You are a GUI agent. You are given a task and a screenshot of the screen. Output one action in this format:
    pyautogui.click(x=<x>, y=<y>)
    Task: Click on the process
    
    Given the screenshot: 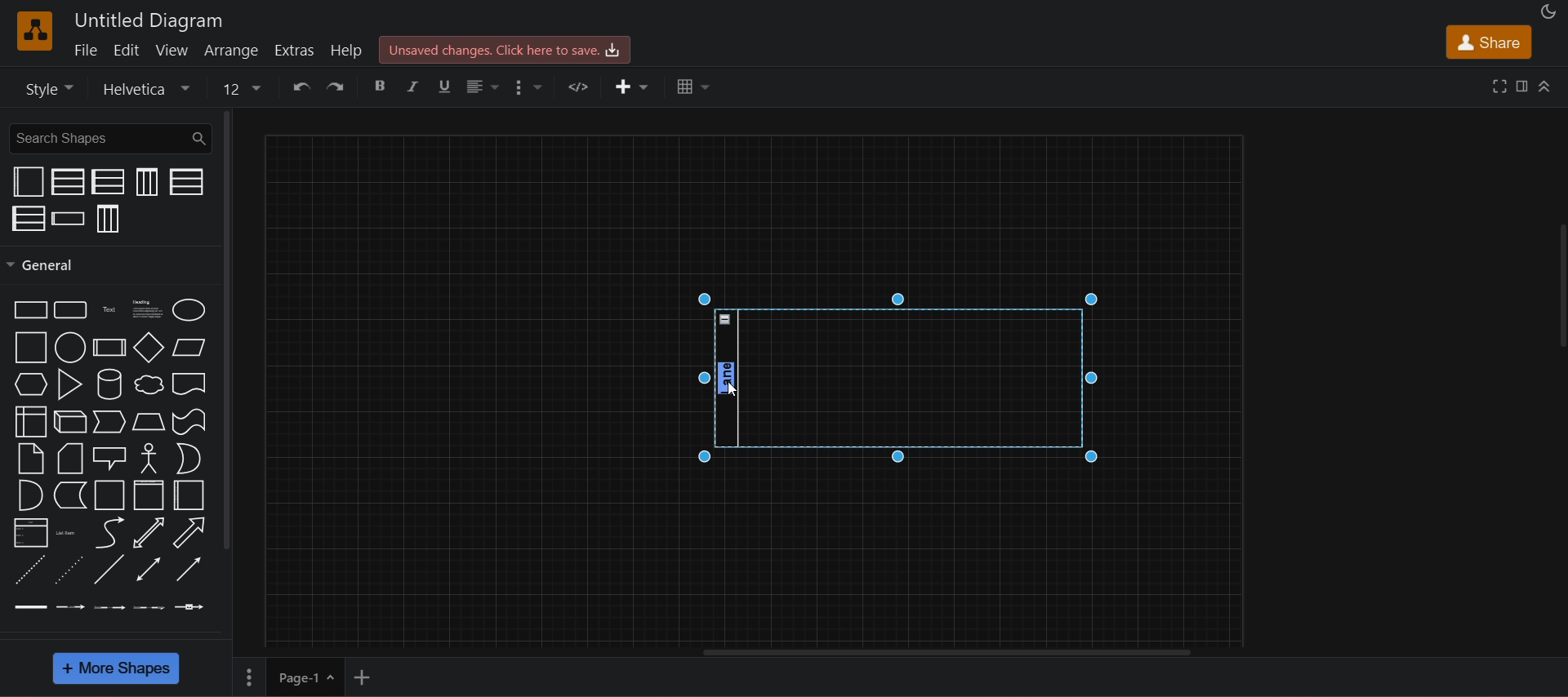 What is the action you would take?
    pyautogui.click(x=109, y=348)
    